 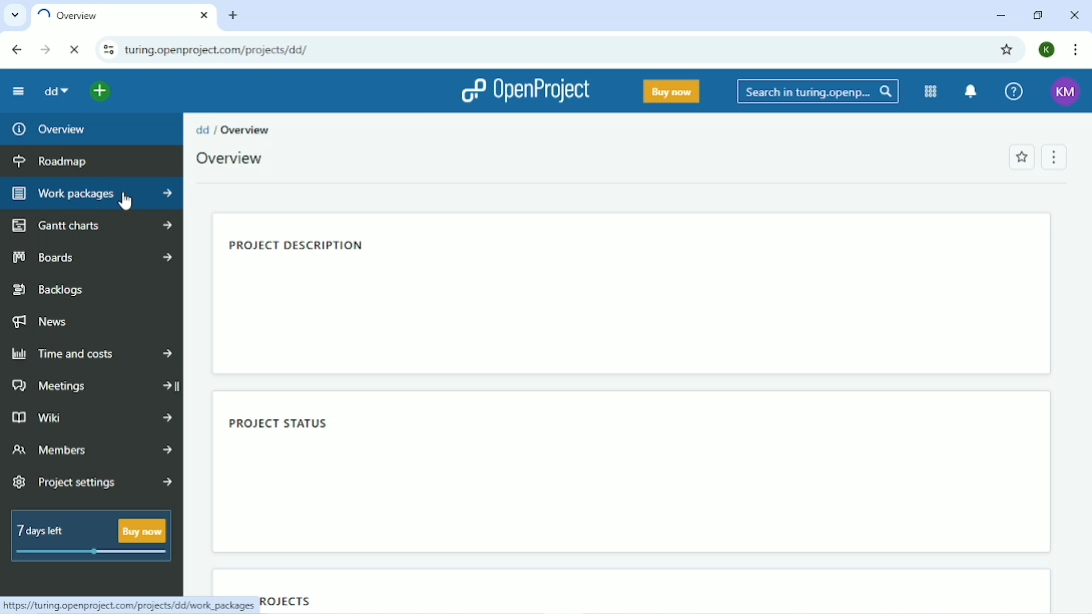 I want to click on View site information, so click(x=107, y=47).